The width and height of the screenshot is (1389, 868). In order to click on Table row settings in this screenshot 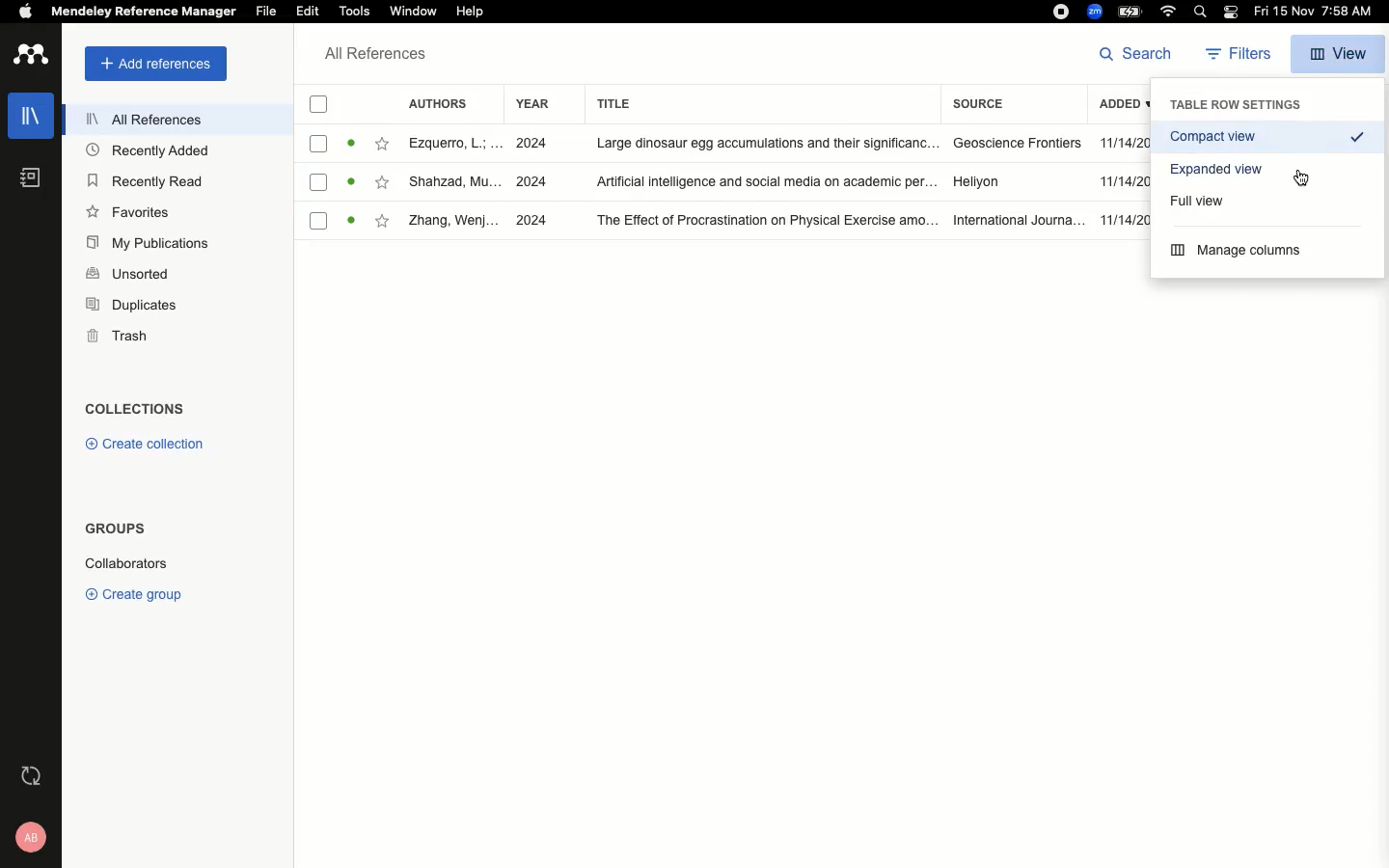, I will do `click(1238, 104)`.